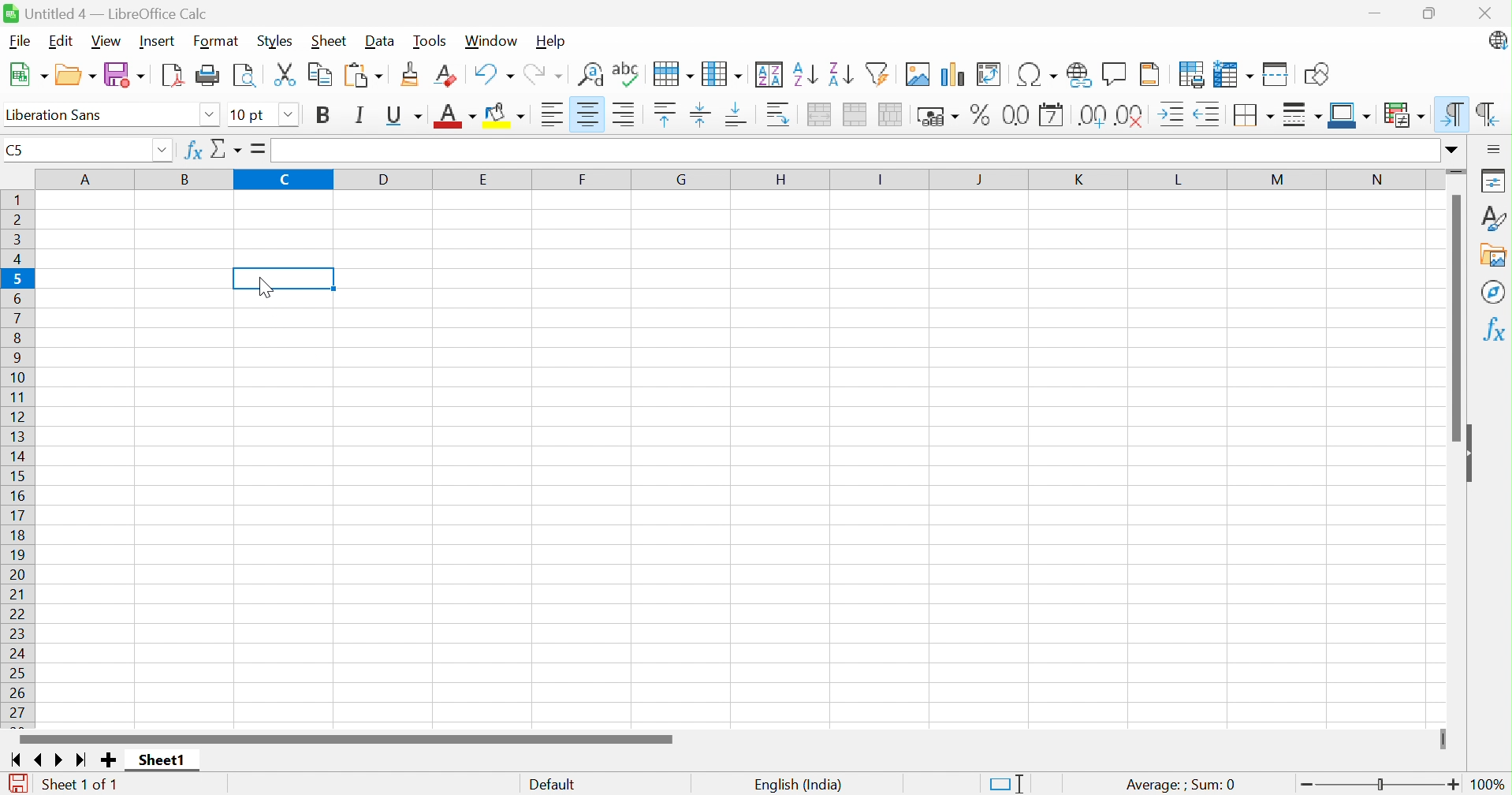 The width and height of the screenshot is (1512, 795). Describe the element at coordinates (16, 152) in the screenshot. I see `C5` at that location.